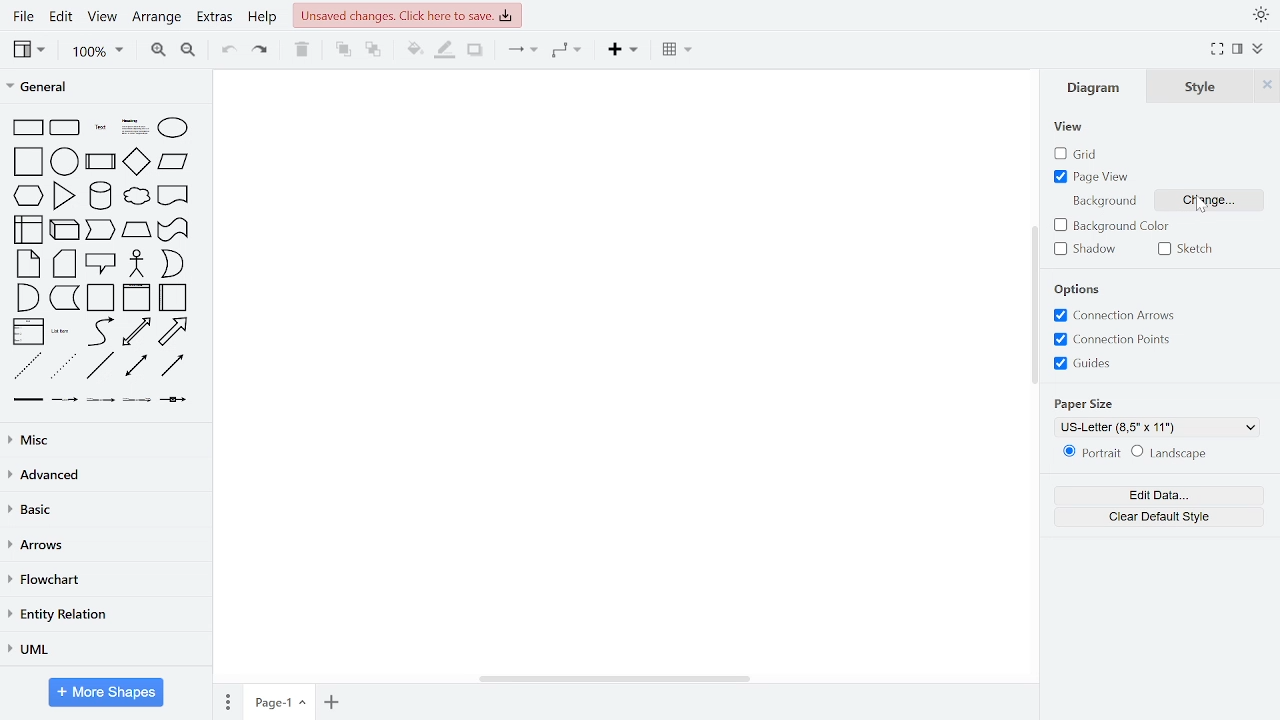 This screenshot has height=720, width=1280. What do you see at coordinates (263, 20) in the screenshot?
I see `help` at bounding box center [263, 20].